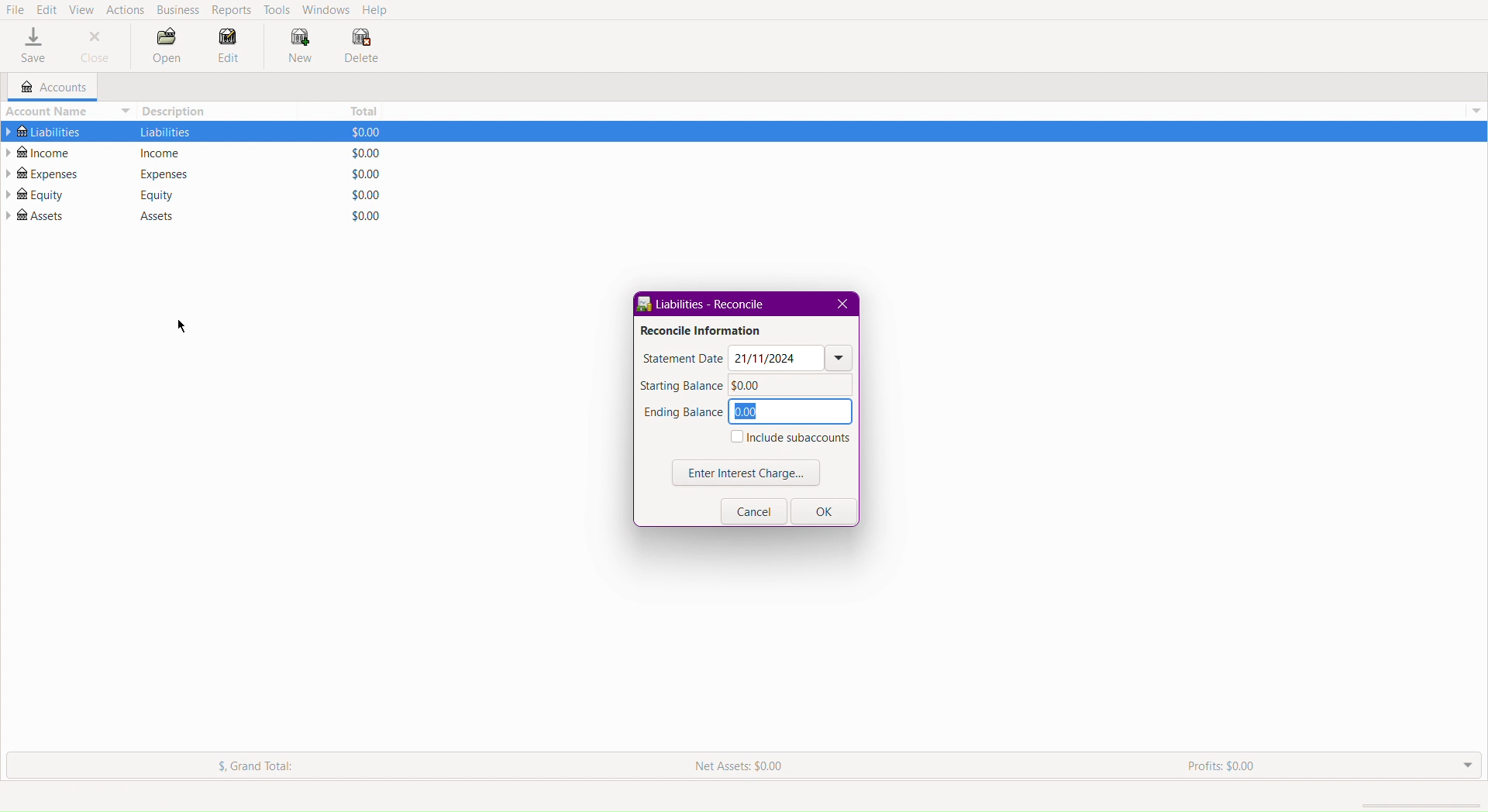 The height and width of the screenshot is (812, 1488). What do you see at coordinates (701, 302) in the screenshot?
I see `Liabilities - Reconcile` at bounding box center [701, 302].